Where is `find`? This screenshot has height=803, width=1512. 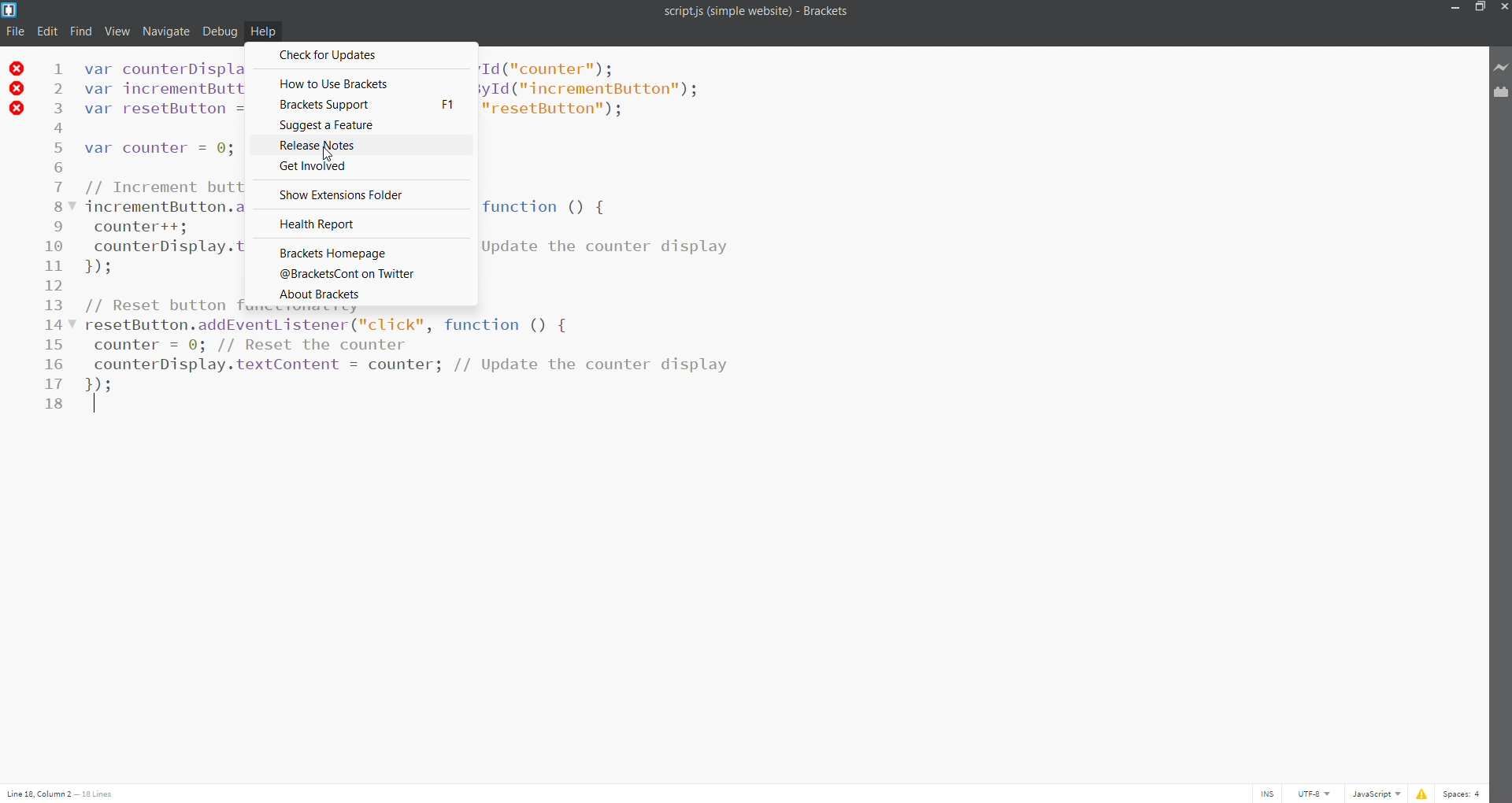 find is located at coordinates (82, 31).